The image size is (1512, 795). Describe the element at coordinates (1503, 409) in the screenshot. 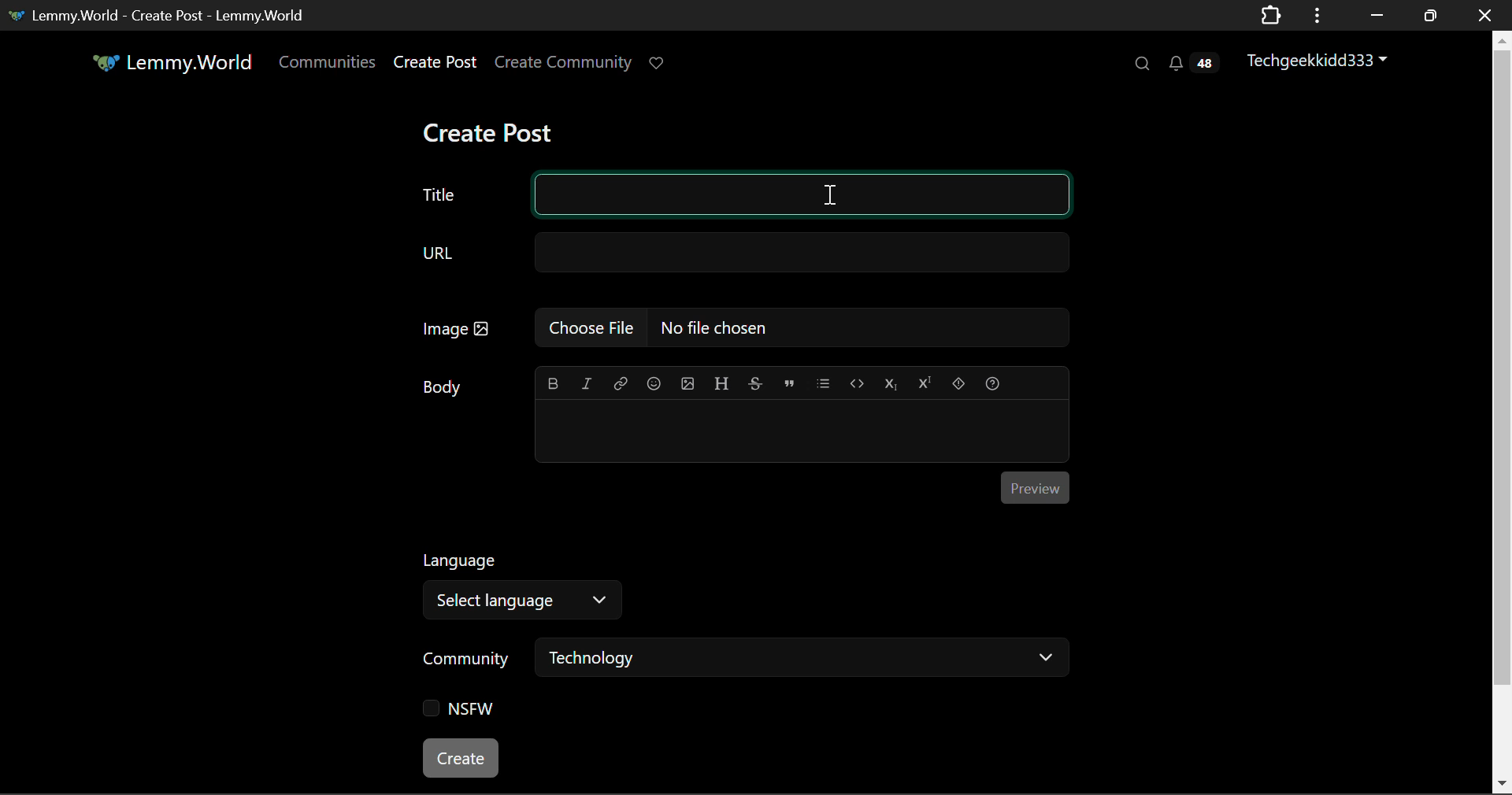

I see `Scroll Bar` at that location.